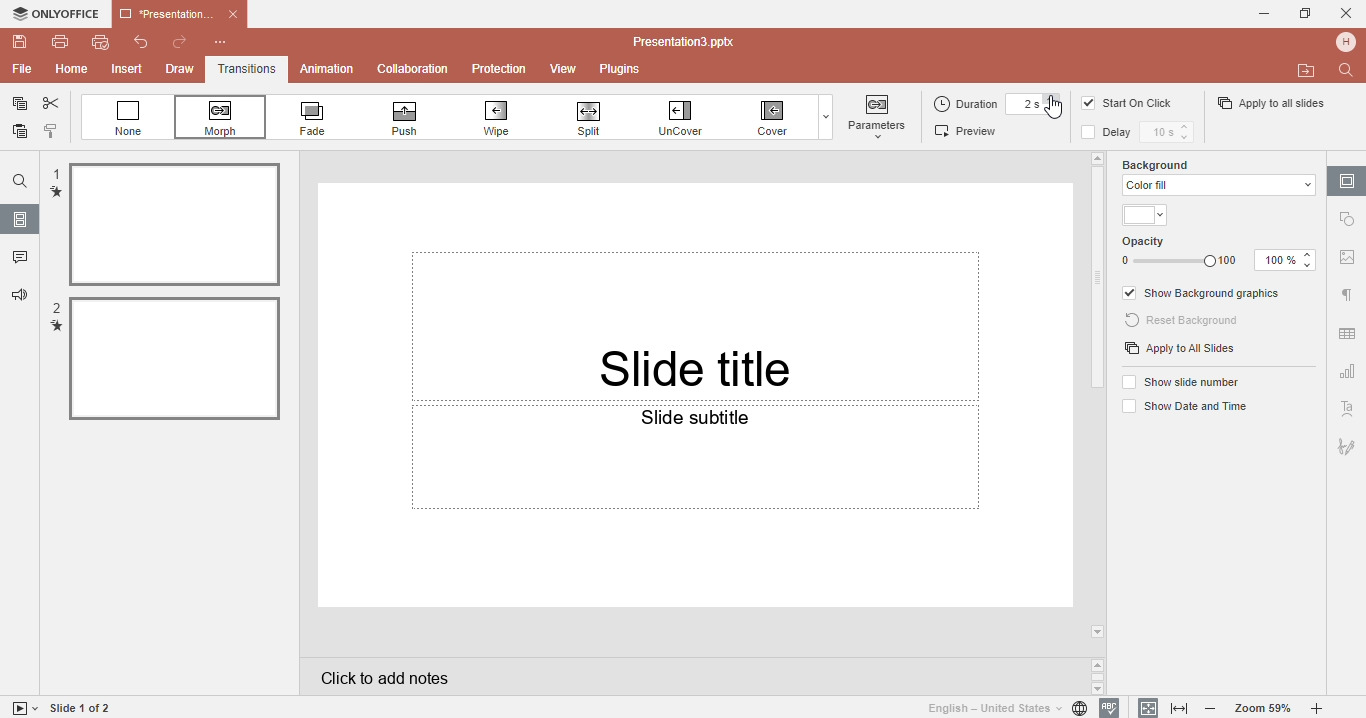 The width and height of the screenshot is (1366, 718). What do you see at coordinates (1306, 12) in the screenshot?
I see `Maximize` at bounding box center [1306, 12].